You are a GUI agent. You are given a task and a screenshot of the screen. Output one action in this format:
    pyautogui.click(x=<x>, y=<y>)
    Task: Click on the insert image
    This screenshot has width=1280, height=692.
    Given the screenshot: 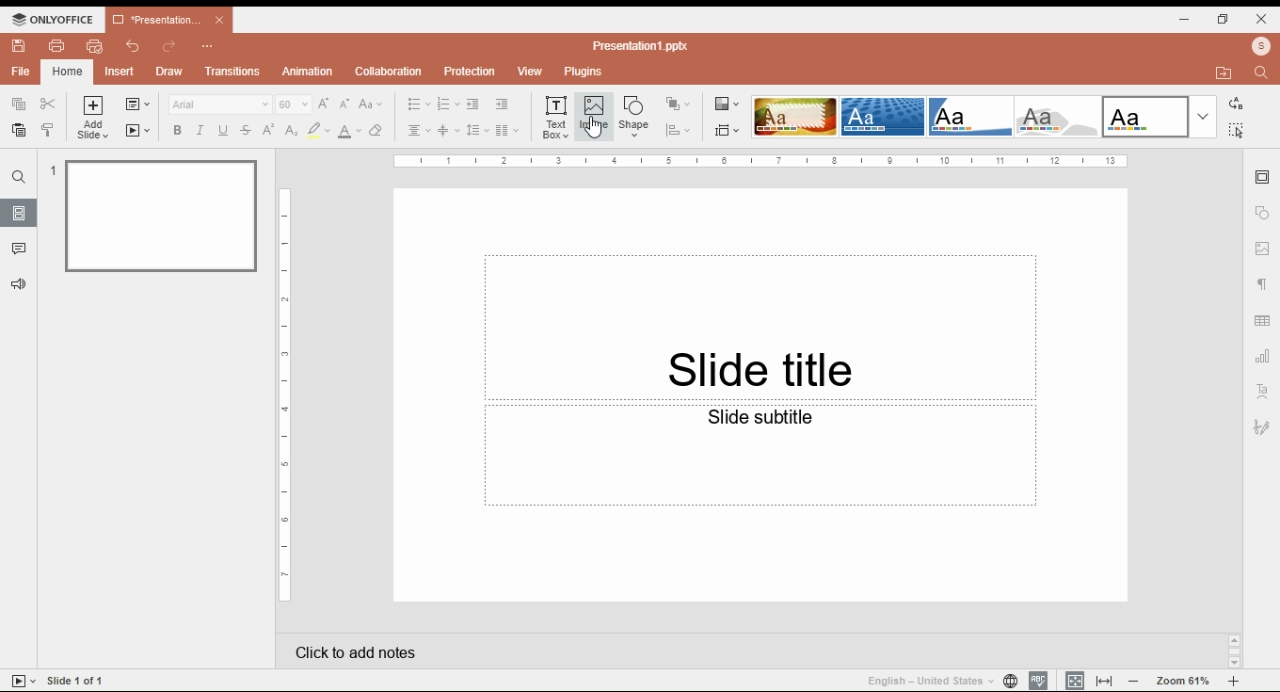 What is the action you would take?
    pyautogui.click(x=595, y=117)
    